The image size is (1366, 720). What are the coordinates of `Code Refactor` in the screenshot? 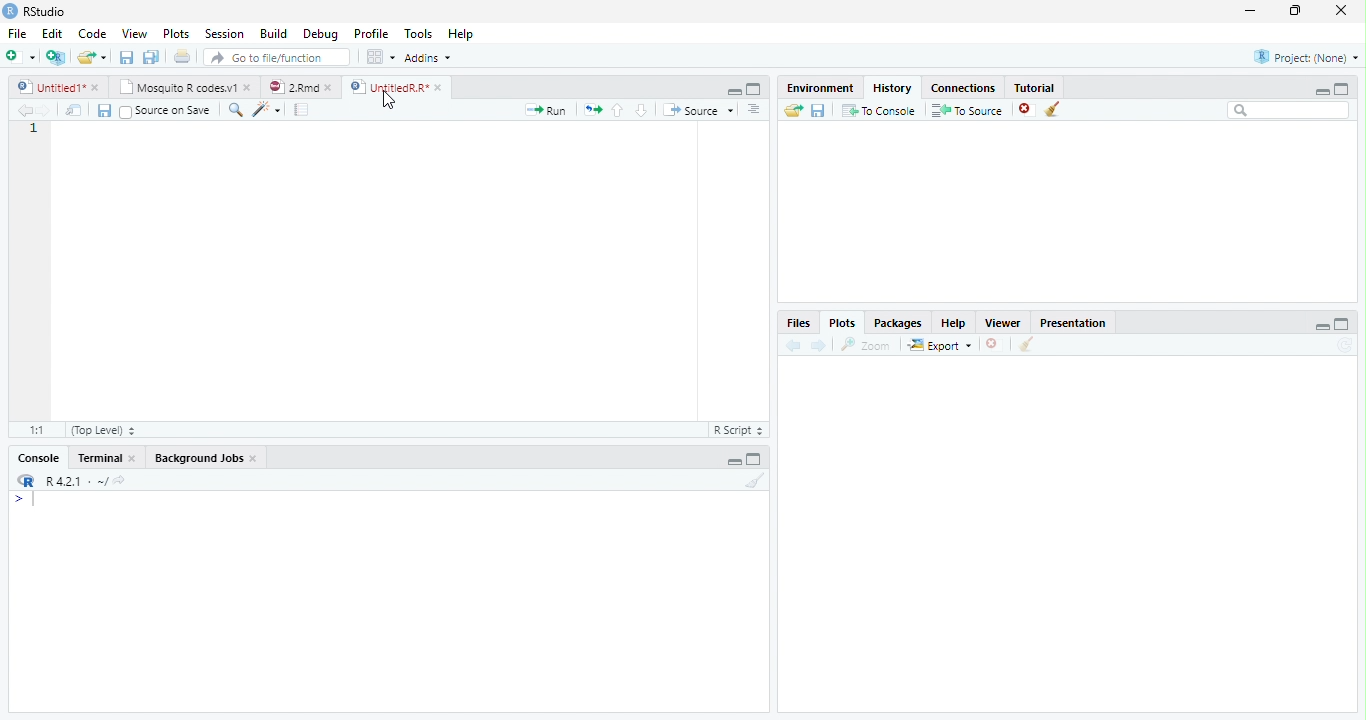 It's located at (269, 109).